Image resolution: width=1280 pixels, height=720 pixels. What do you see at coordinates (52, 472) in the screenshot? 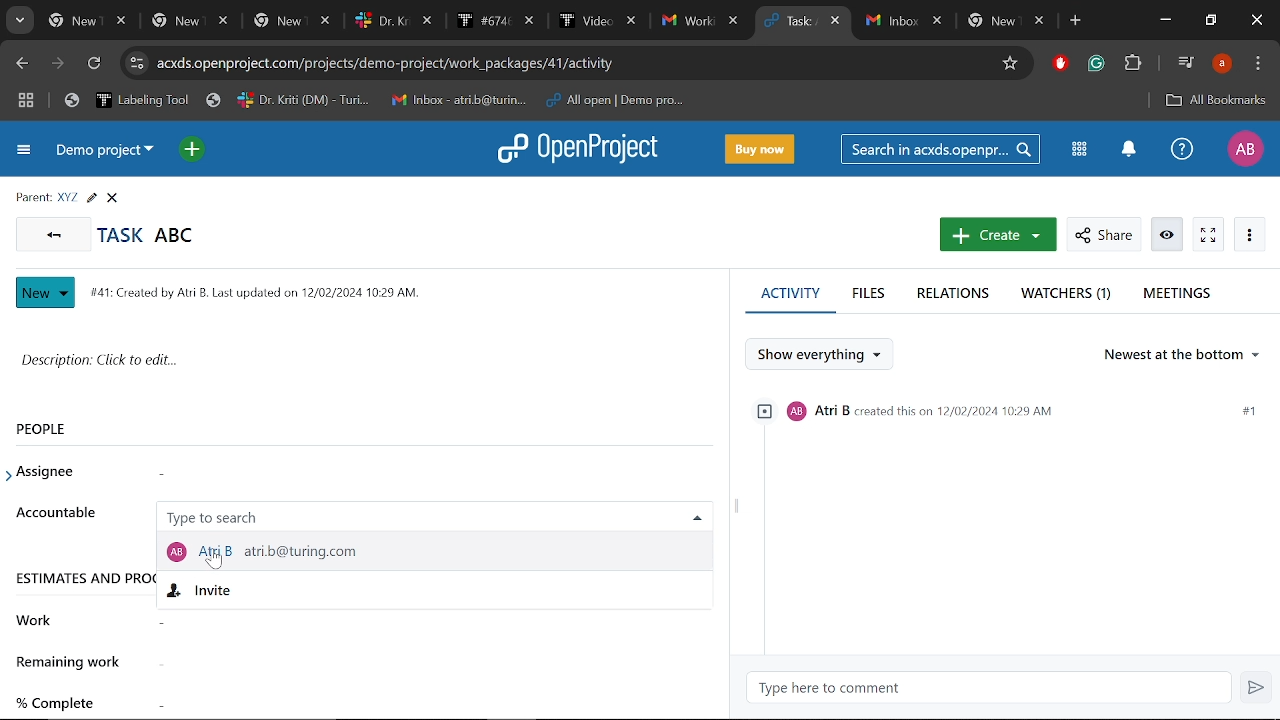
I see `Assignee` at bounding box center [52, 472].